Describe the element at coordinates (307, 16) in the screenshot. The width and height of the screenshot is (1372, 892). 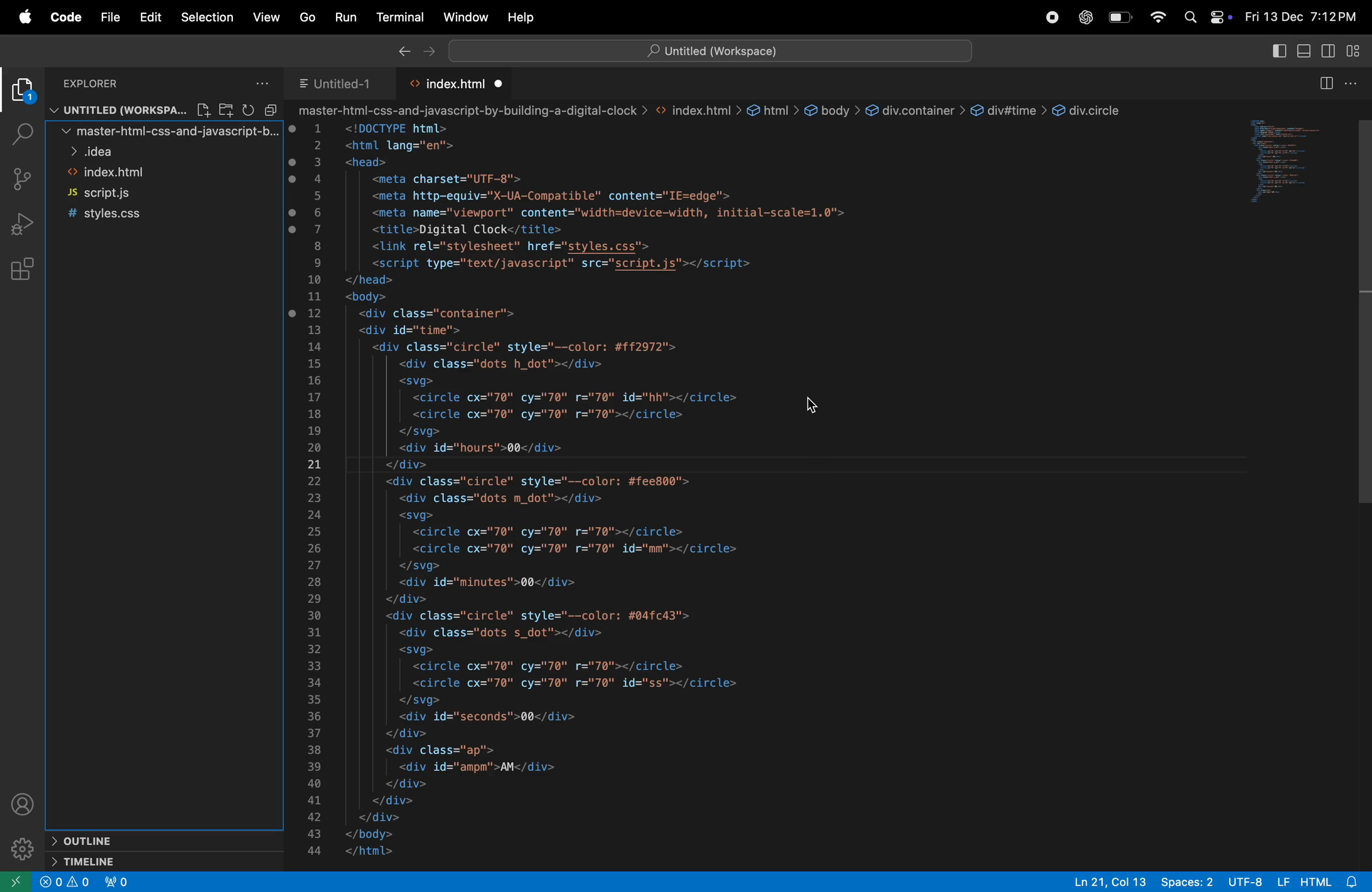
I see `GO` at that location.